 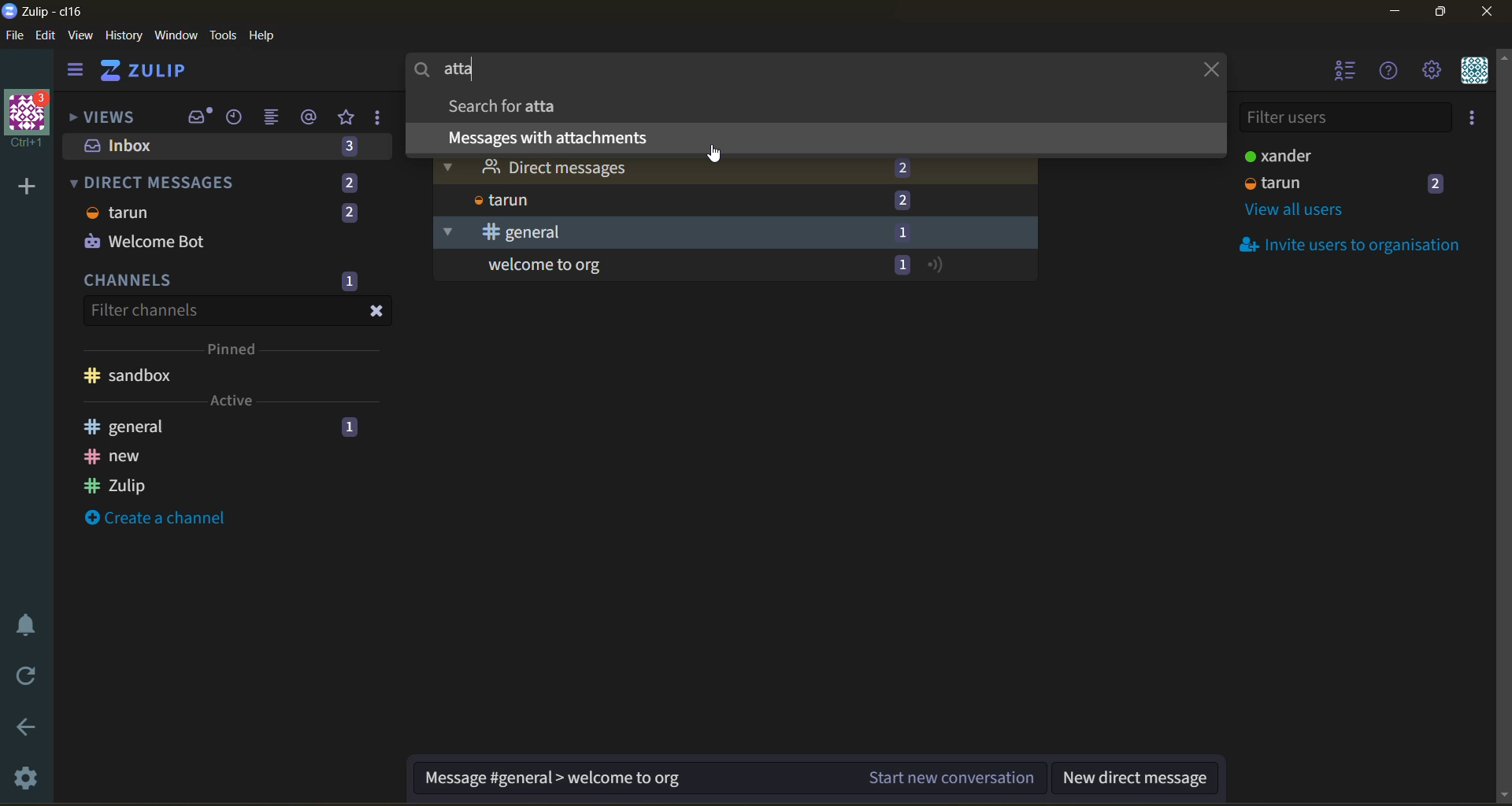 I want to click on # new, so click(x=116, y=457).